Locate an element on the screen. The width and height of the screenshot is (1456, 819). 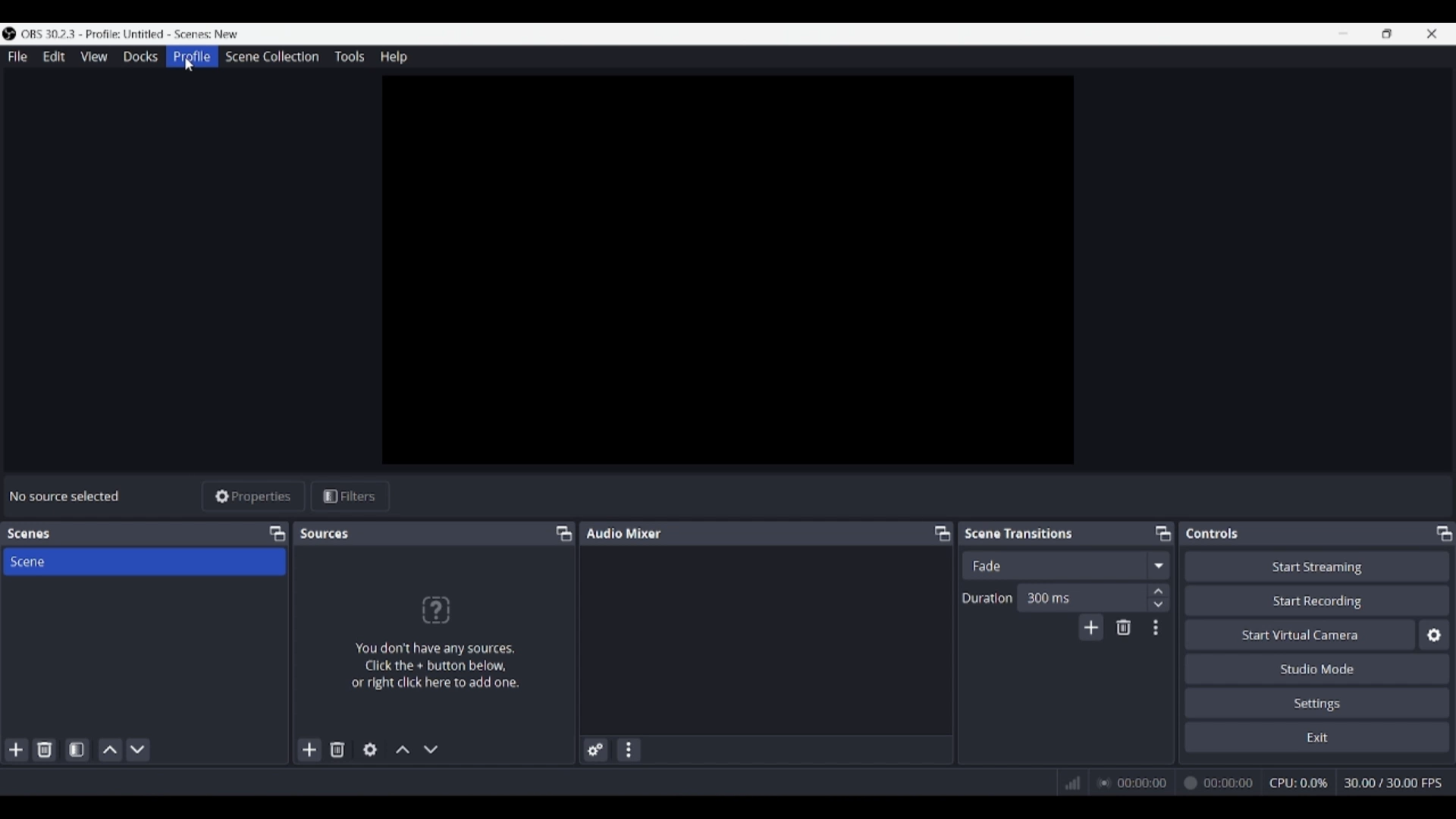
Open scene filters is located at coordinates (77, 749).